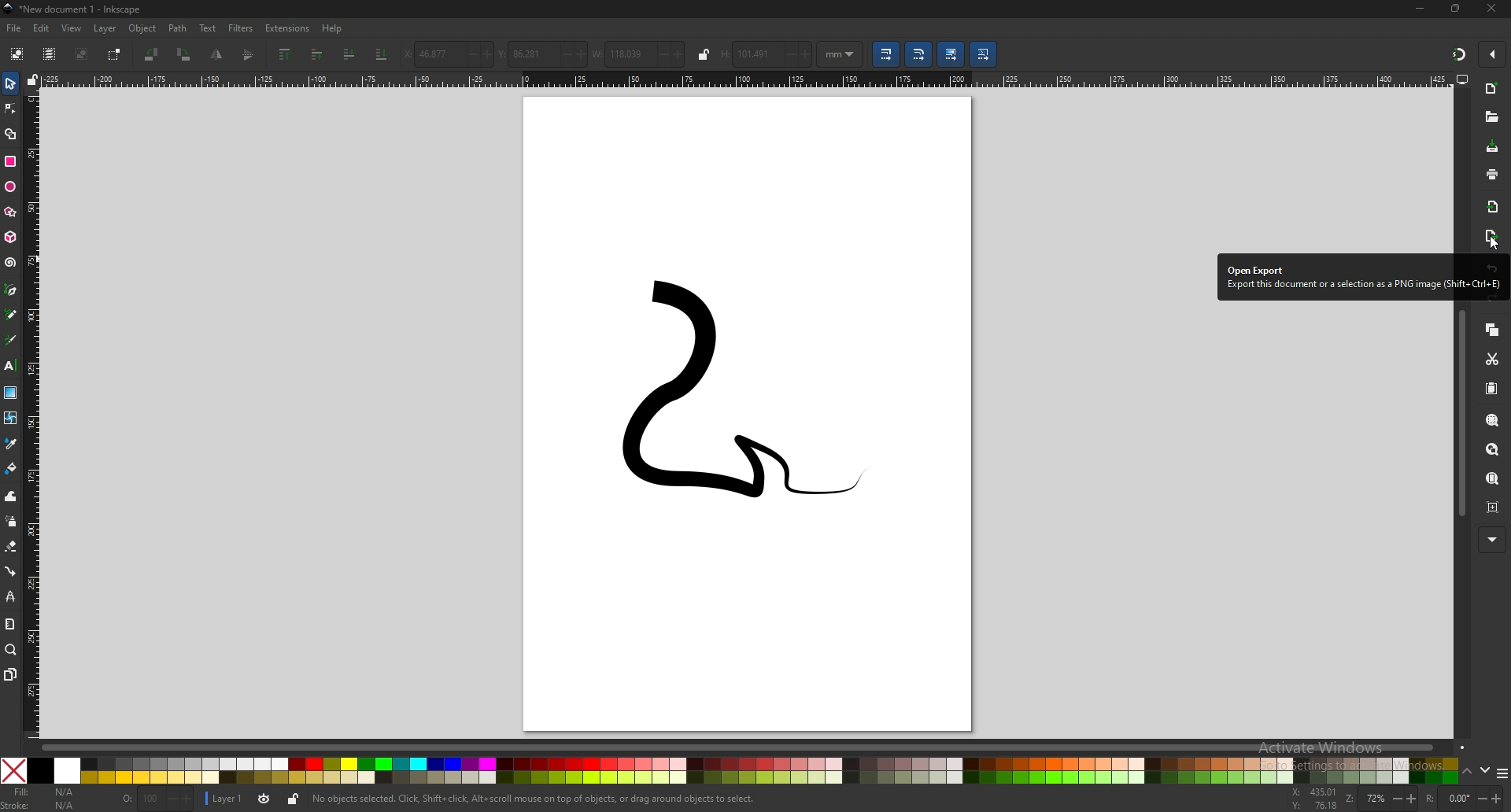 This screenshot has width=1511, height=812. I want to click on rotate 90 degree cw, so click(185, 54).